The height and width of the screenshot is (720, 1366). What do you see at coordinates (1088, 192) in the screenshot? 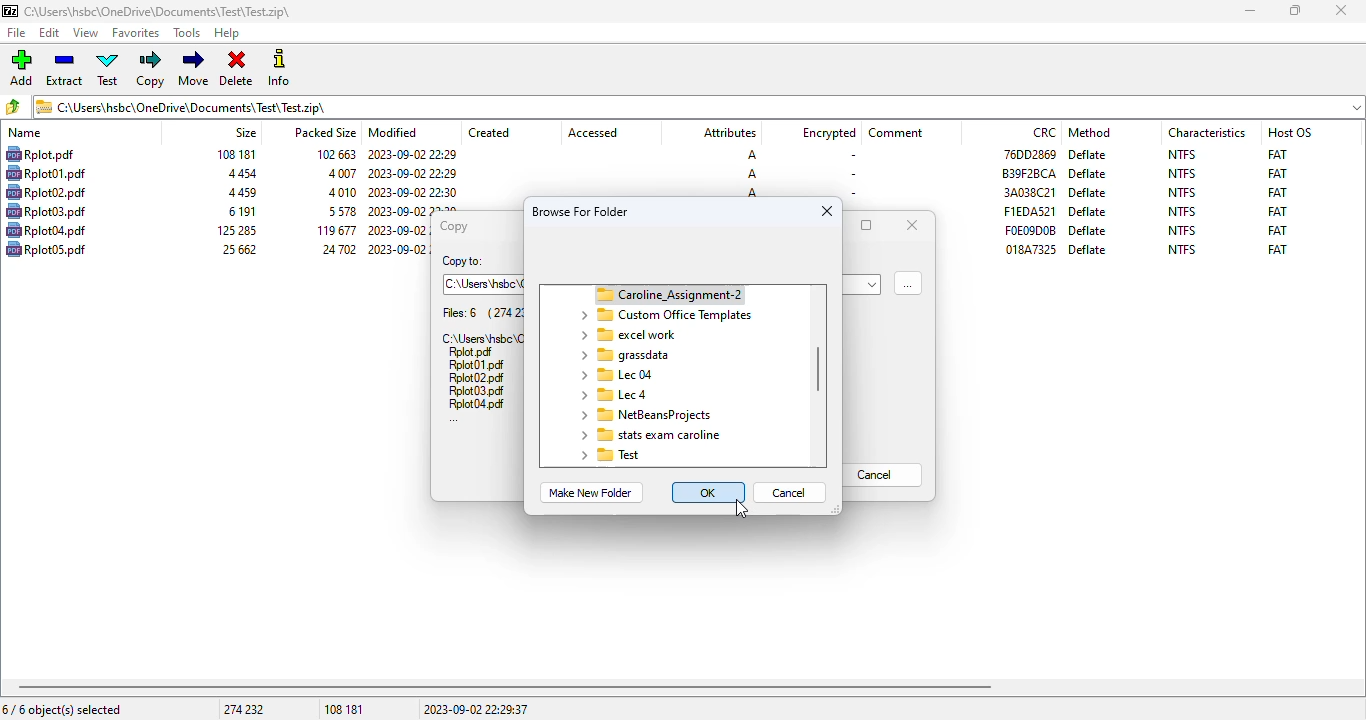
I see `deflate` at bounding box center [1088, 192].